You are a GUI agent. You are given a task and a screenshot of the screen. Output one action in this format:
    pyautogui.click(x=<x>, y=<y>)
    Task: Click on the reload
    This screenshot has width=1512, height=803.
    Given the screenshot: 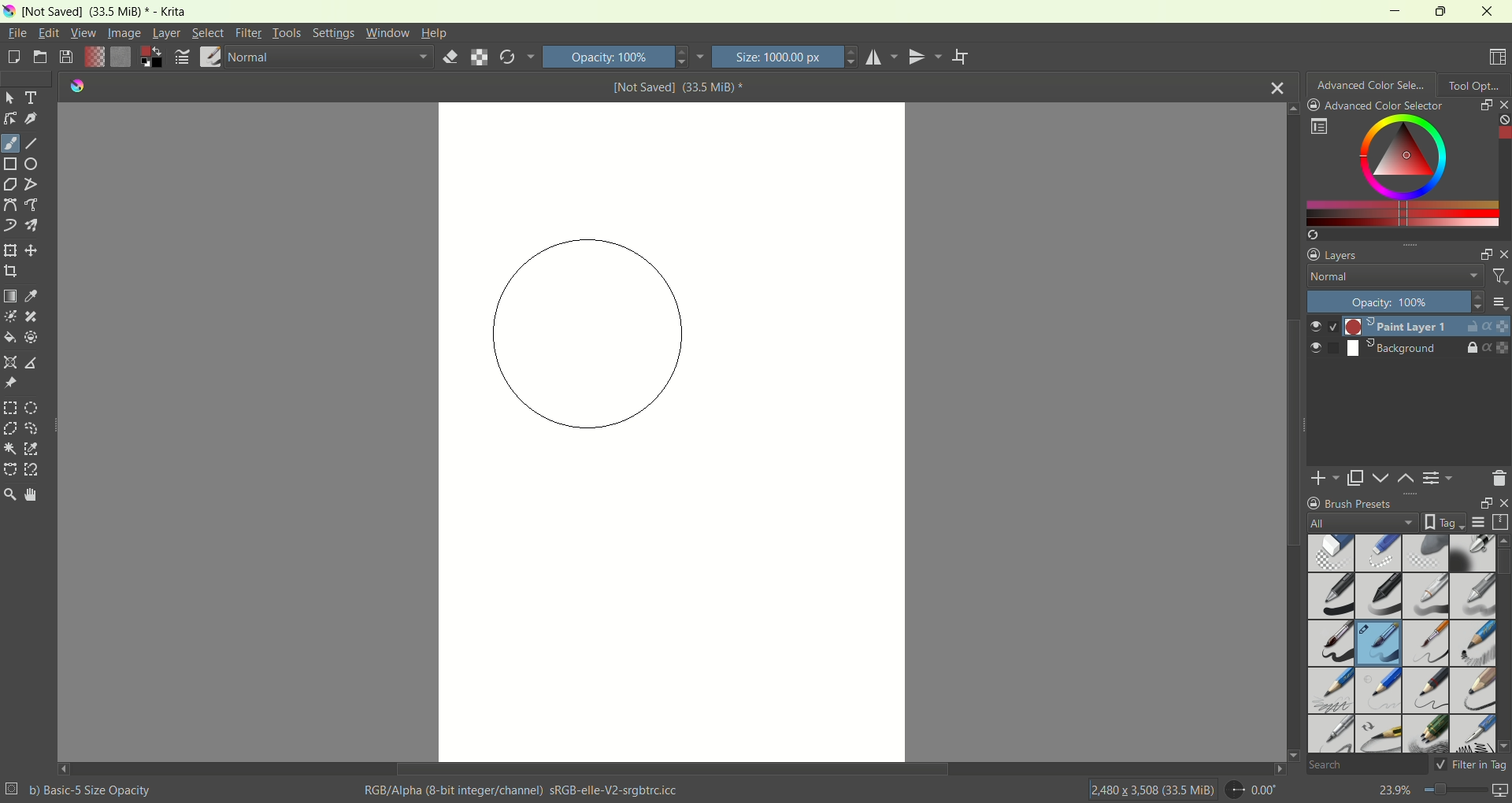 What is the action you would take?
    pyautogui.click(x=517, y=57)
    